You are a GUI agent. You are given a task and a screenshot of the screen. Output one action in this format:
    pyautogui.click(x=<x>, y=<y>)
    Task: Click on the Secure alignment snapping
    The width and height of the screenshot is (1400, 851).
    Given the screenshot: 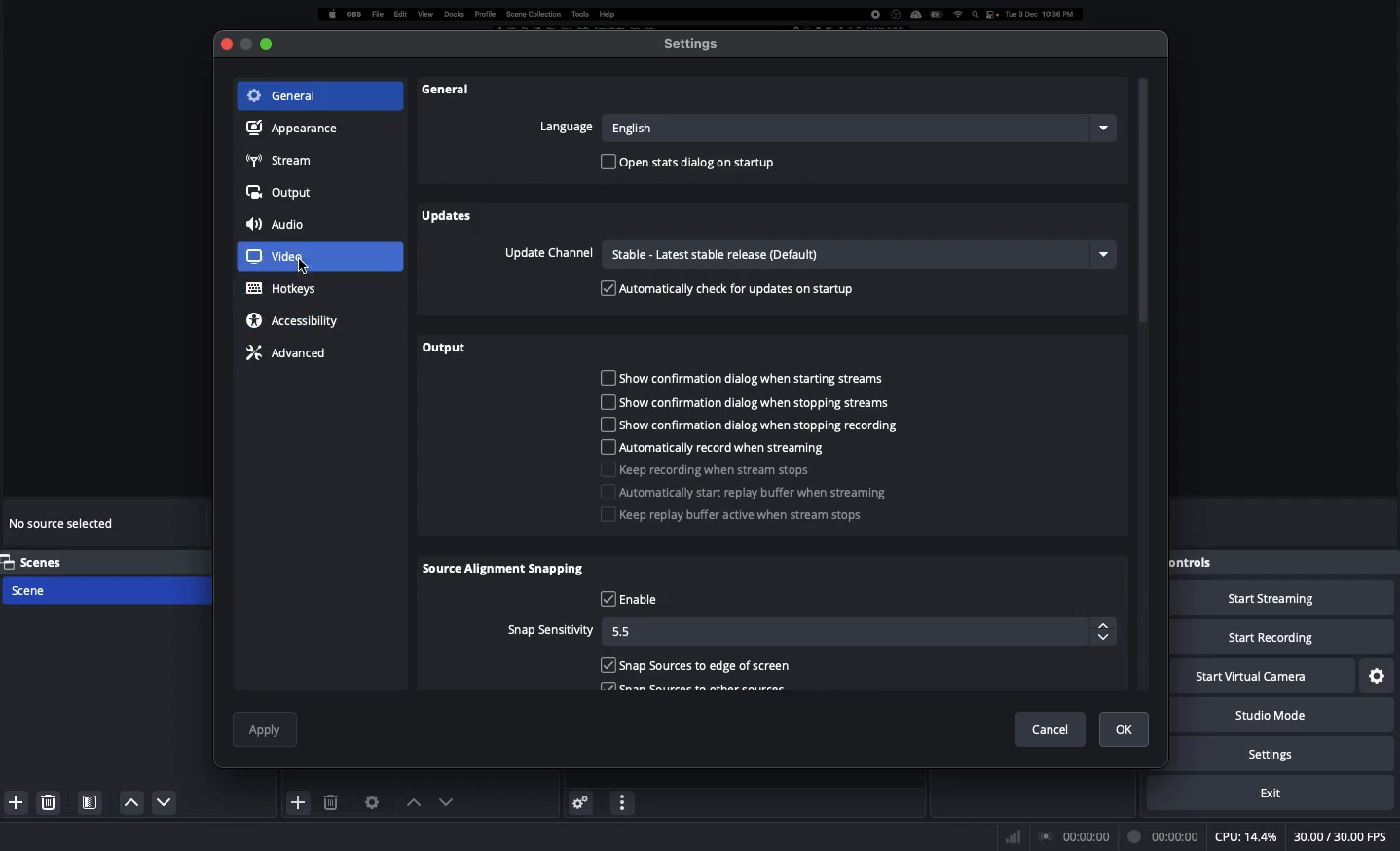 What is the action you would take?
    pyautogui.click(x=505, y=571)
    